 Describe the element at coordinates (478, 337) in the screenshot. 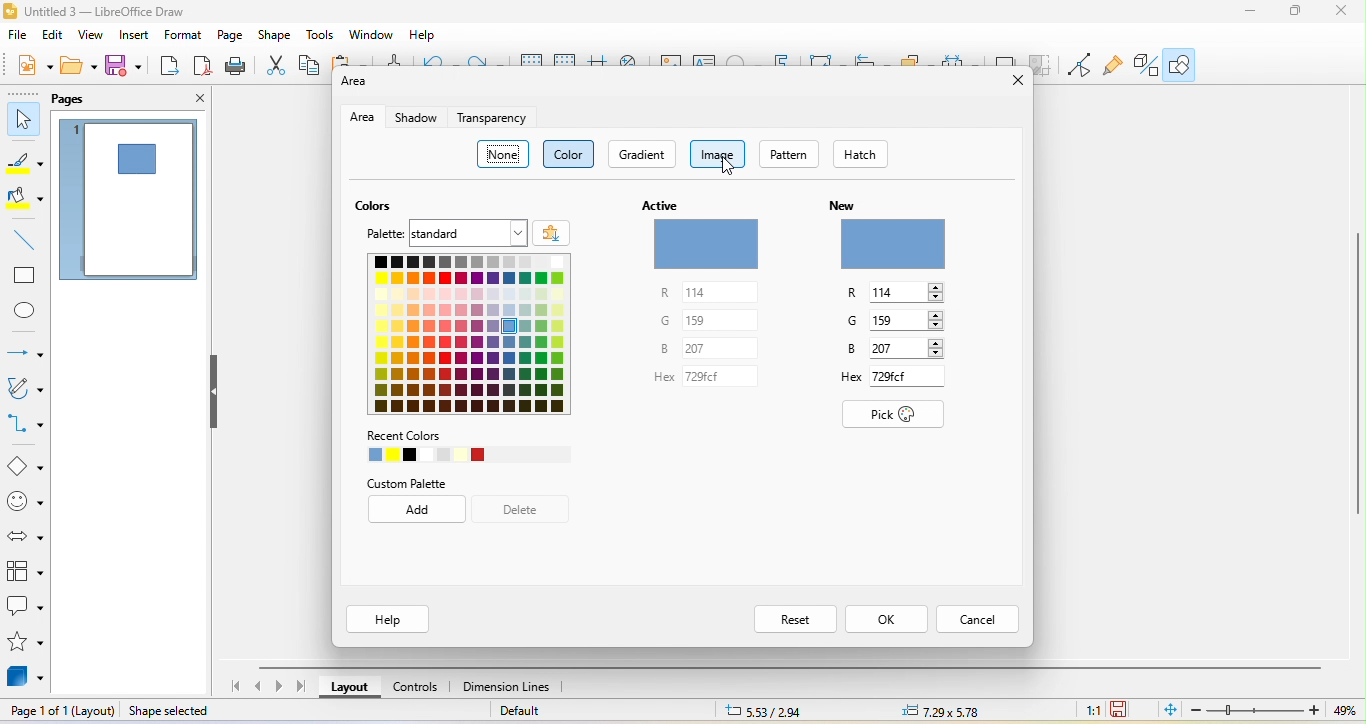

I see `colors` at that location.